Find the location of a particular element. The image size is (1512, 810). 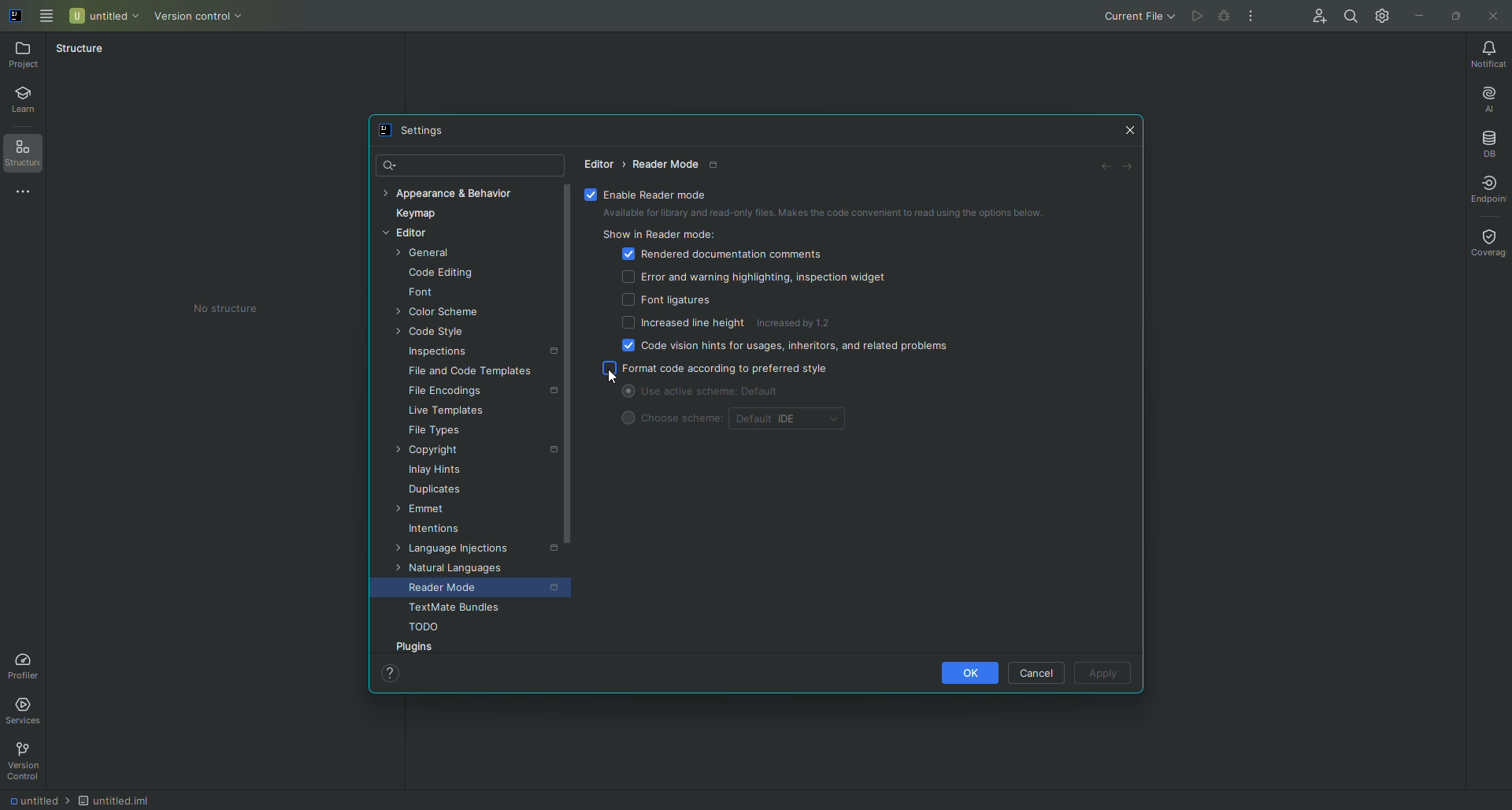

Current File is located at coordinates (1142, 17).